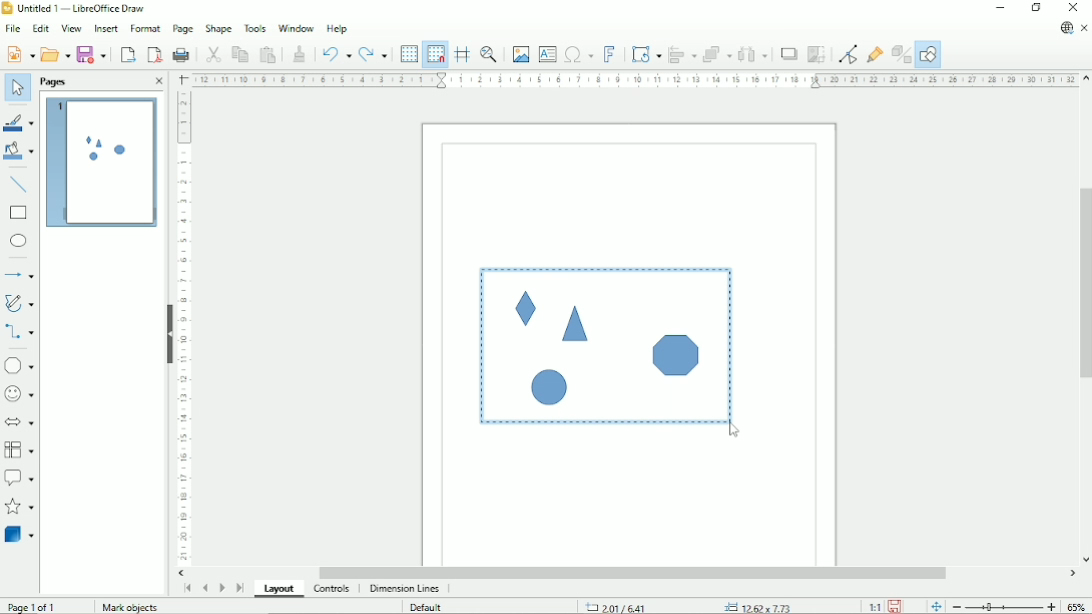  What do you see at coordinates (602, 344) in the screenshot?
I see `Shapes selected` at bounding box center [602, 344].